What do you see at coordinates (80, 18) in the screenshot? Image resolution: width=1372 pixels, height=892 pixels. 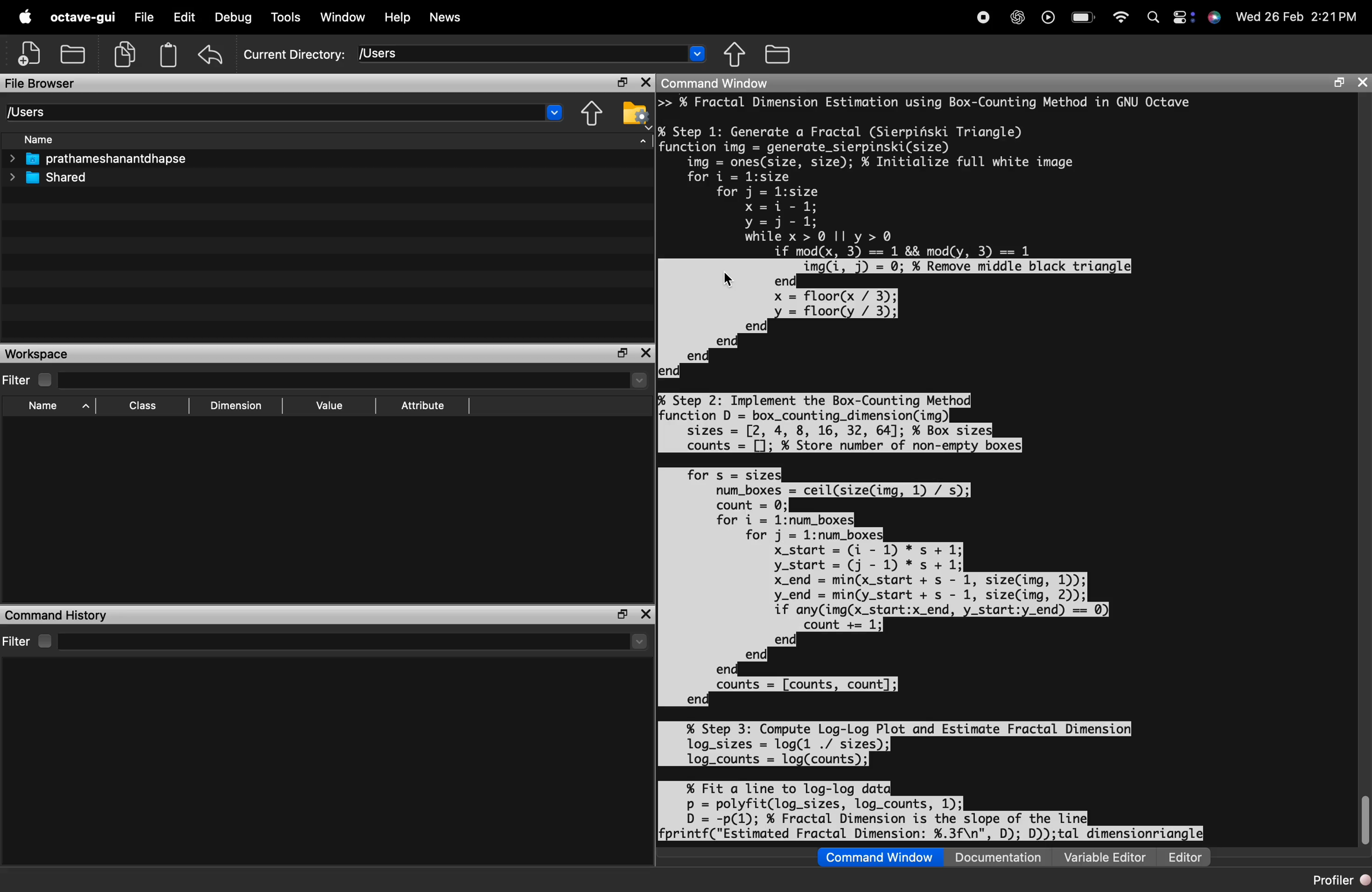 I see `octave-gui` at bounding box center [80, 18].